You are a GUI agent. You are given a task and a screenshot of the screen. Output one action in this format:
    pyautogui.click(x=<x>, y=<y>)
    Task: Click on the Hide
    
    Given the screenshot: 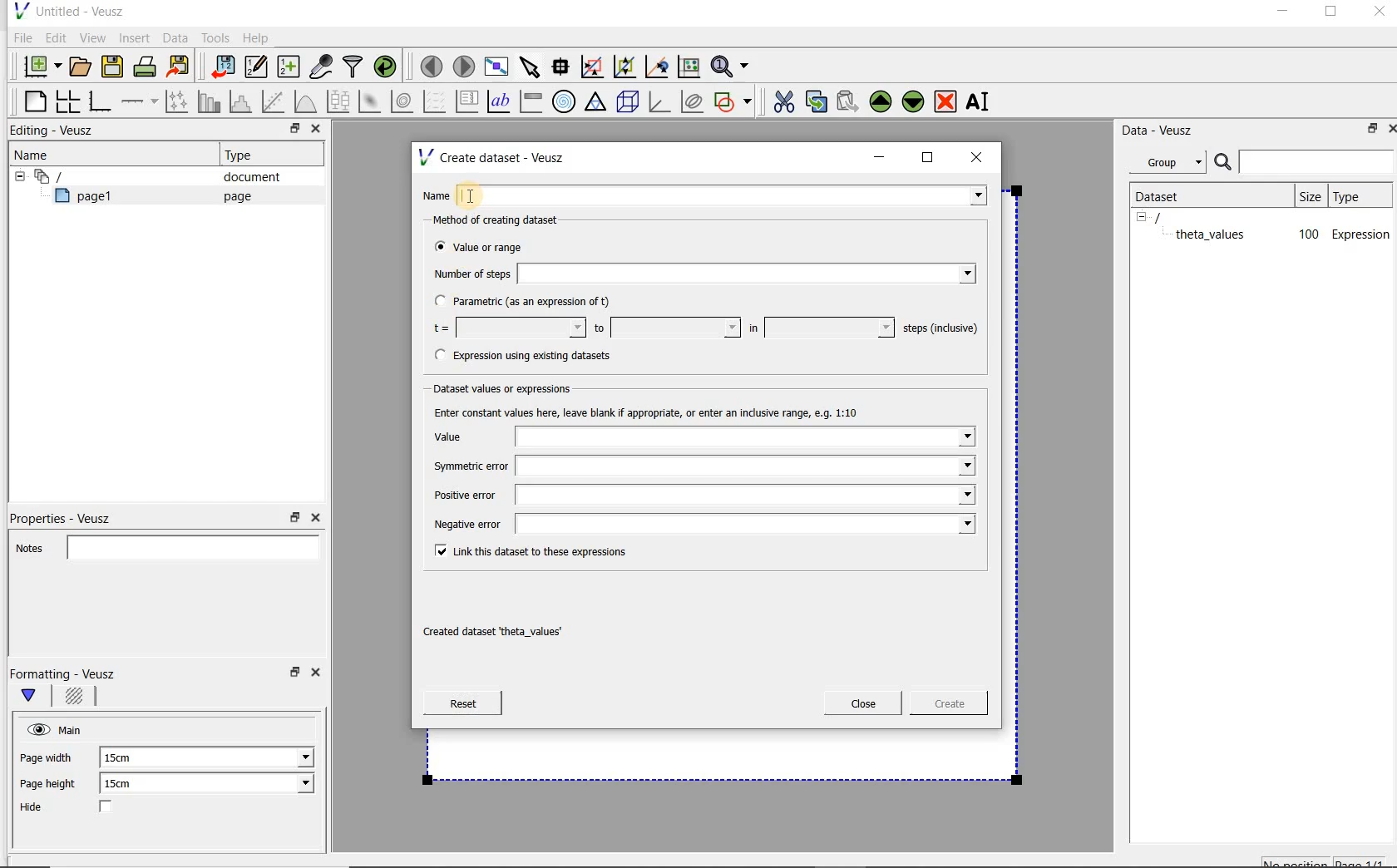 What is the action you would take?
    pyautogui.click(x=82, y=808)
    